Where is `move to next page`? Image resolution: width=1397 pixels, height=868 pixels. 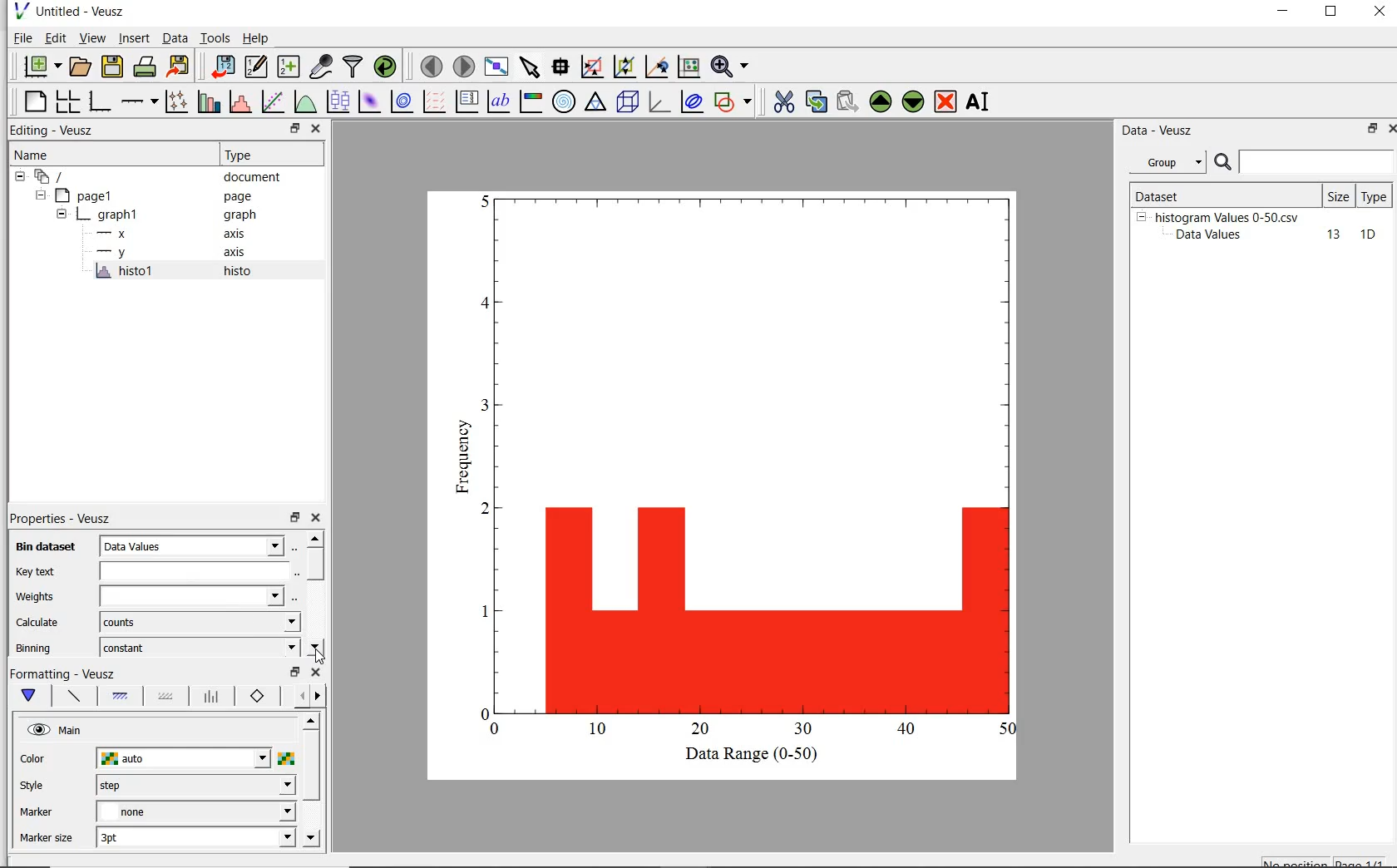
move to next page is located at coordinates (465, 66).